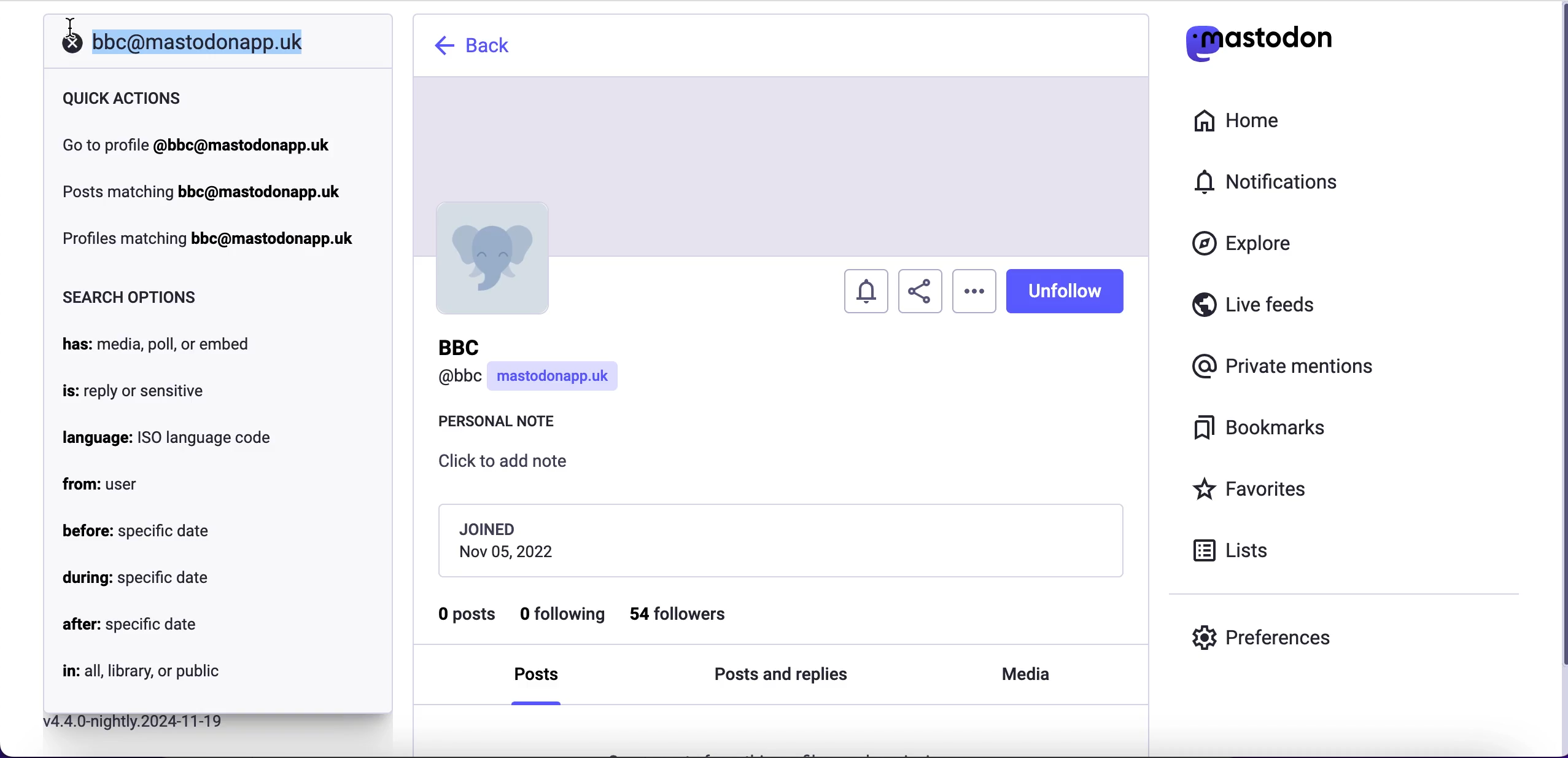 The width and height of the screenshot is (1568, 758). Describe the element at coordinates (1263, 428) in the screenshot. I see `bookmarks` at that location.